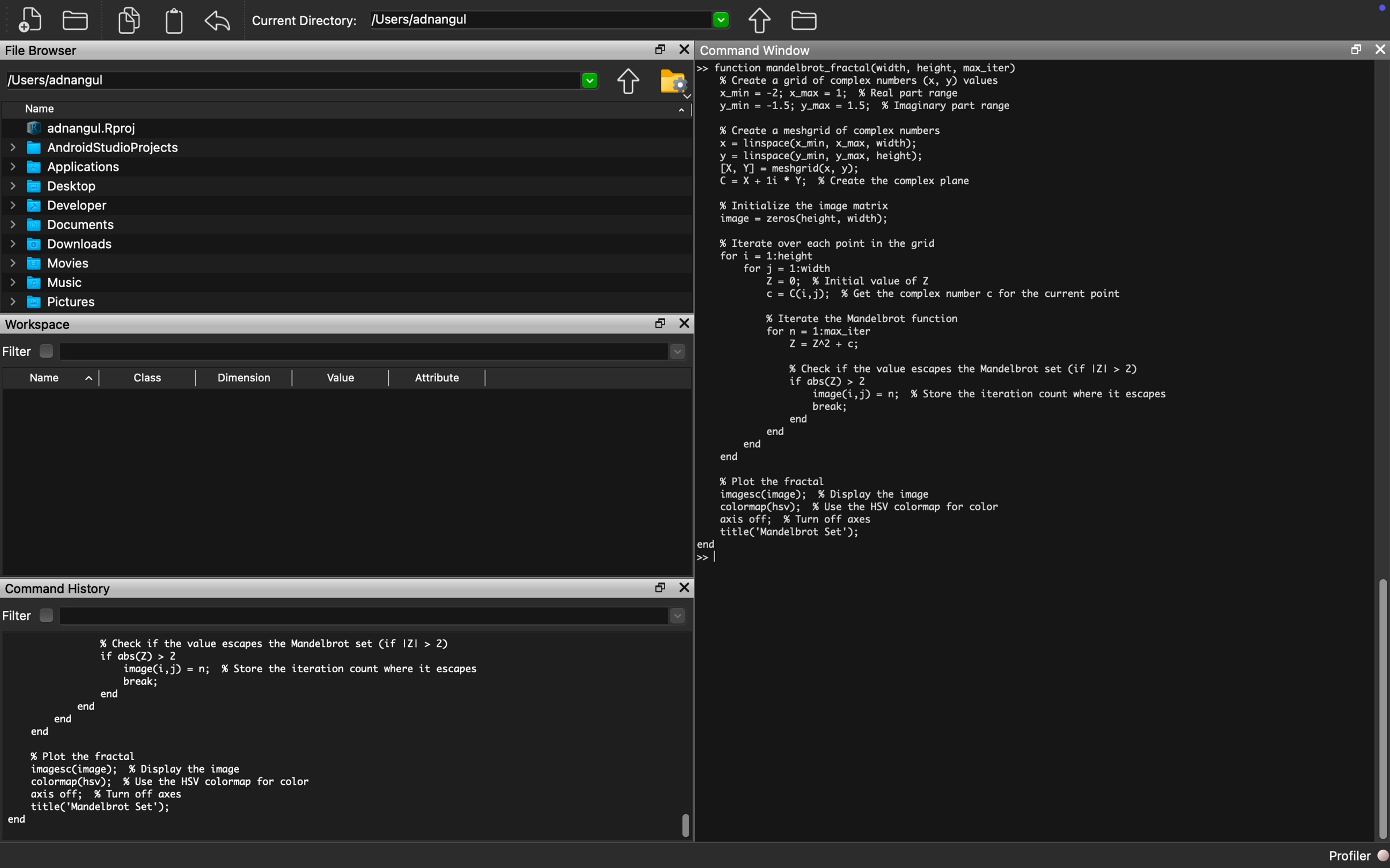  Describe the element at coordinates (46, 351) in the screenshot. I see `Checkbox` at that location.